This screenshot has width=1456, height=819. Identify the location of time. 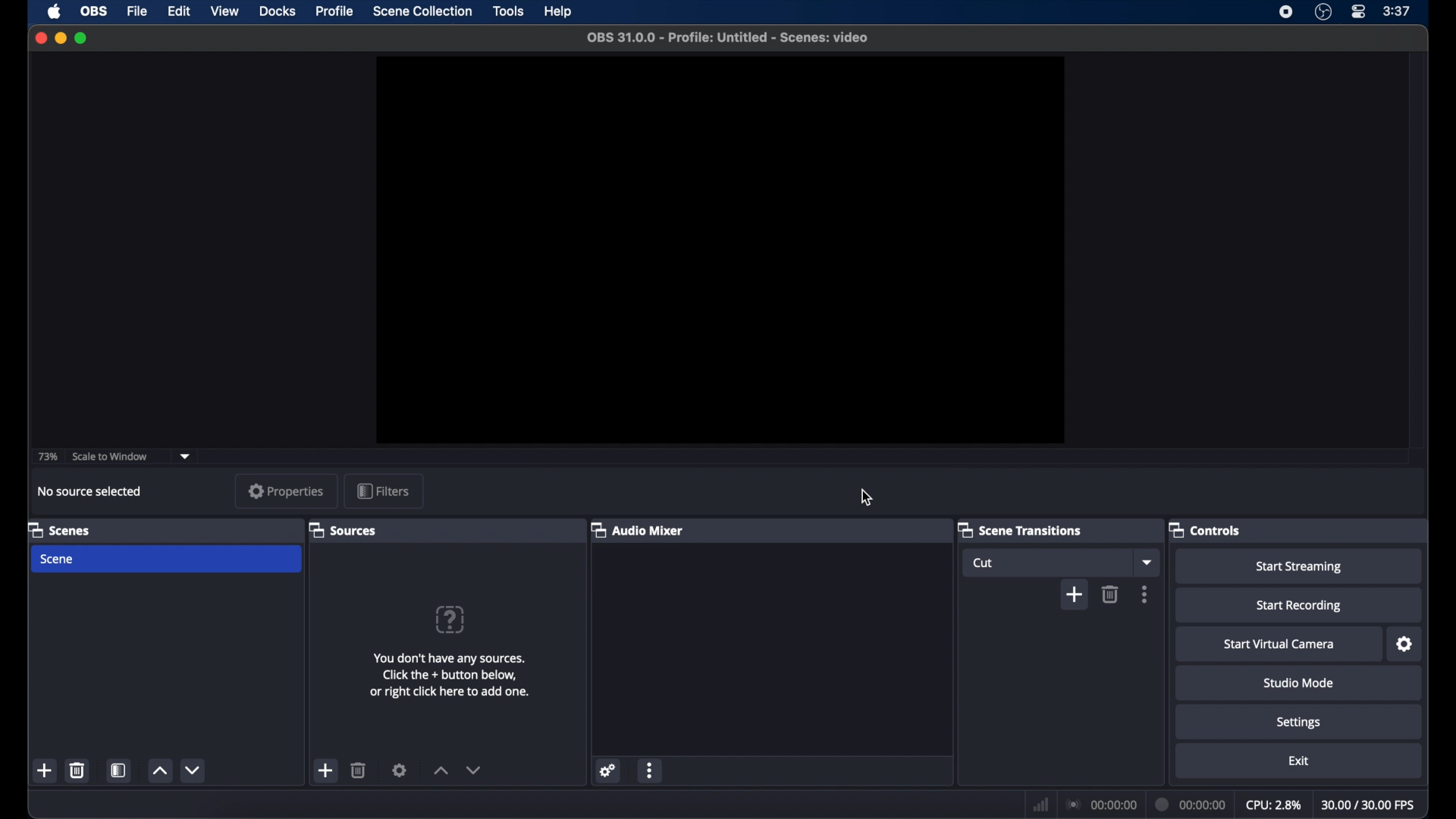
(1397, 11).